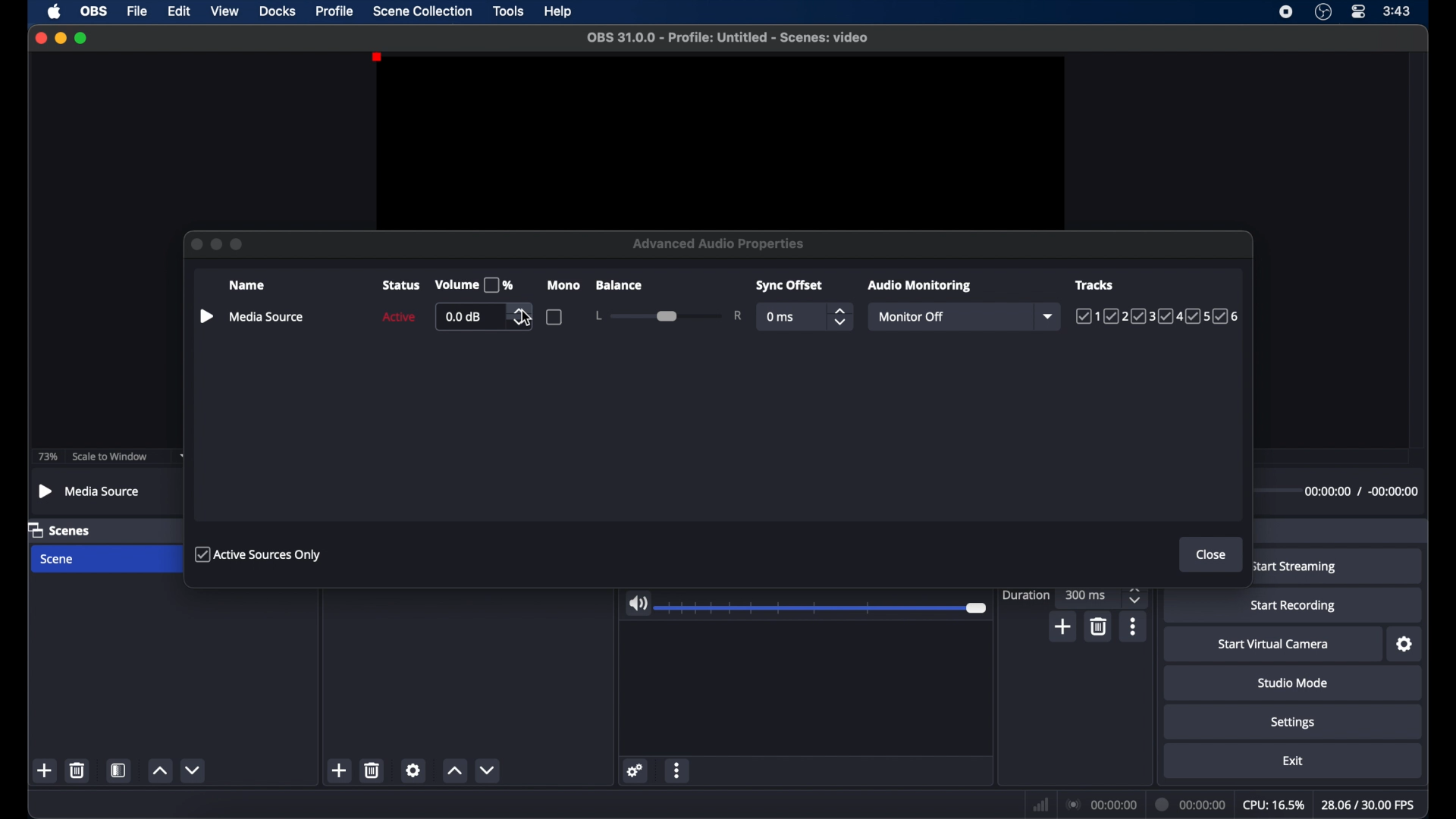 Image resolution: width=1456 pixels, height=819 pixels. Describe the element at coordinates (58, 560) in the screenshot. I see `scene` at that location.